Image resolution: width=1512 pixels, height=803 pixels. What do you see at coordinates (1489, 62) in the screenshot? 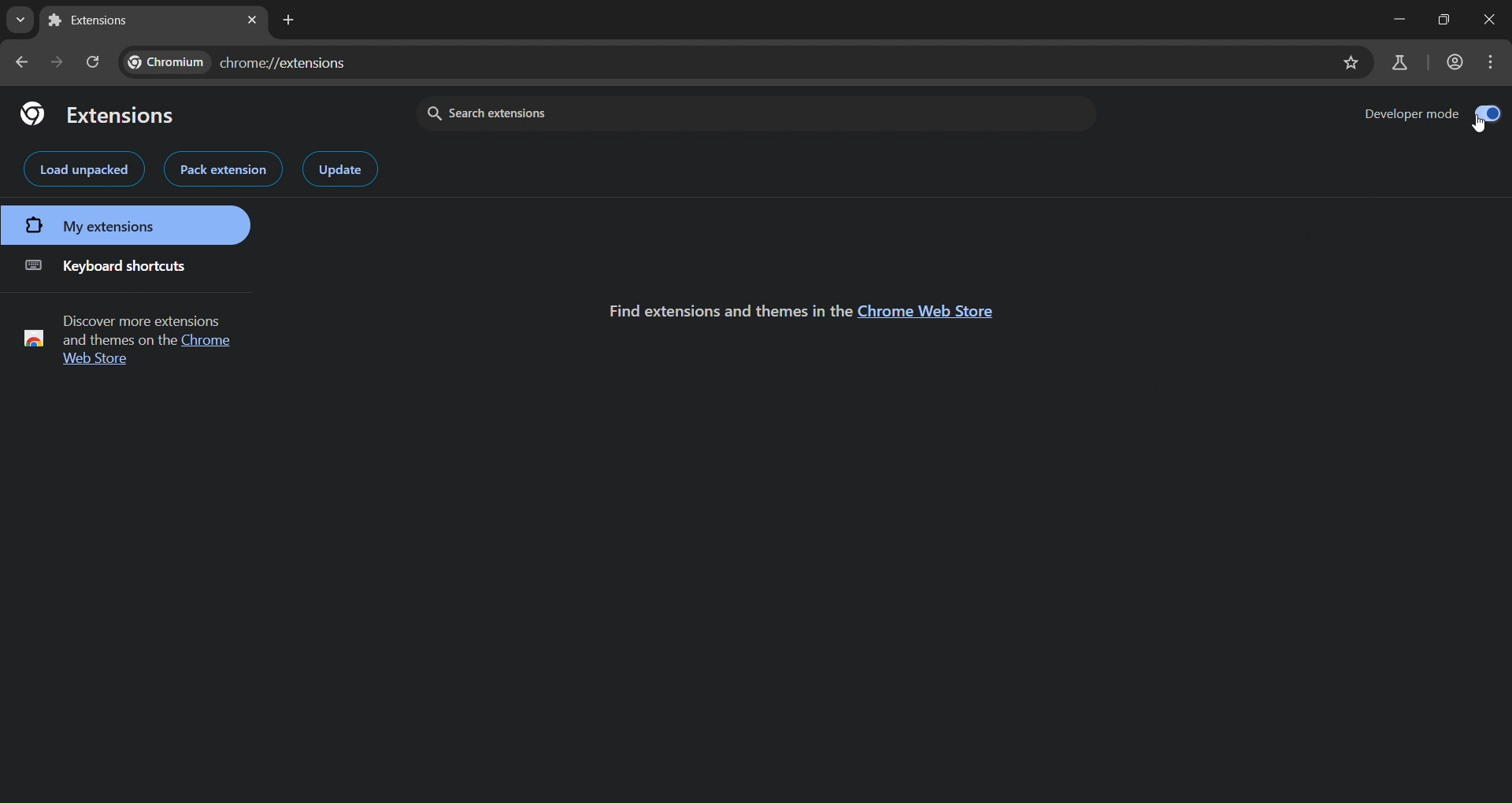
I see `menu` at bounding box center [1489, 62].